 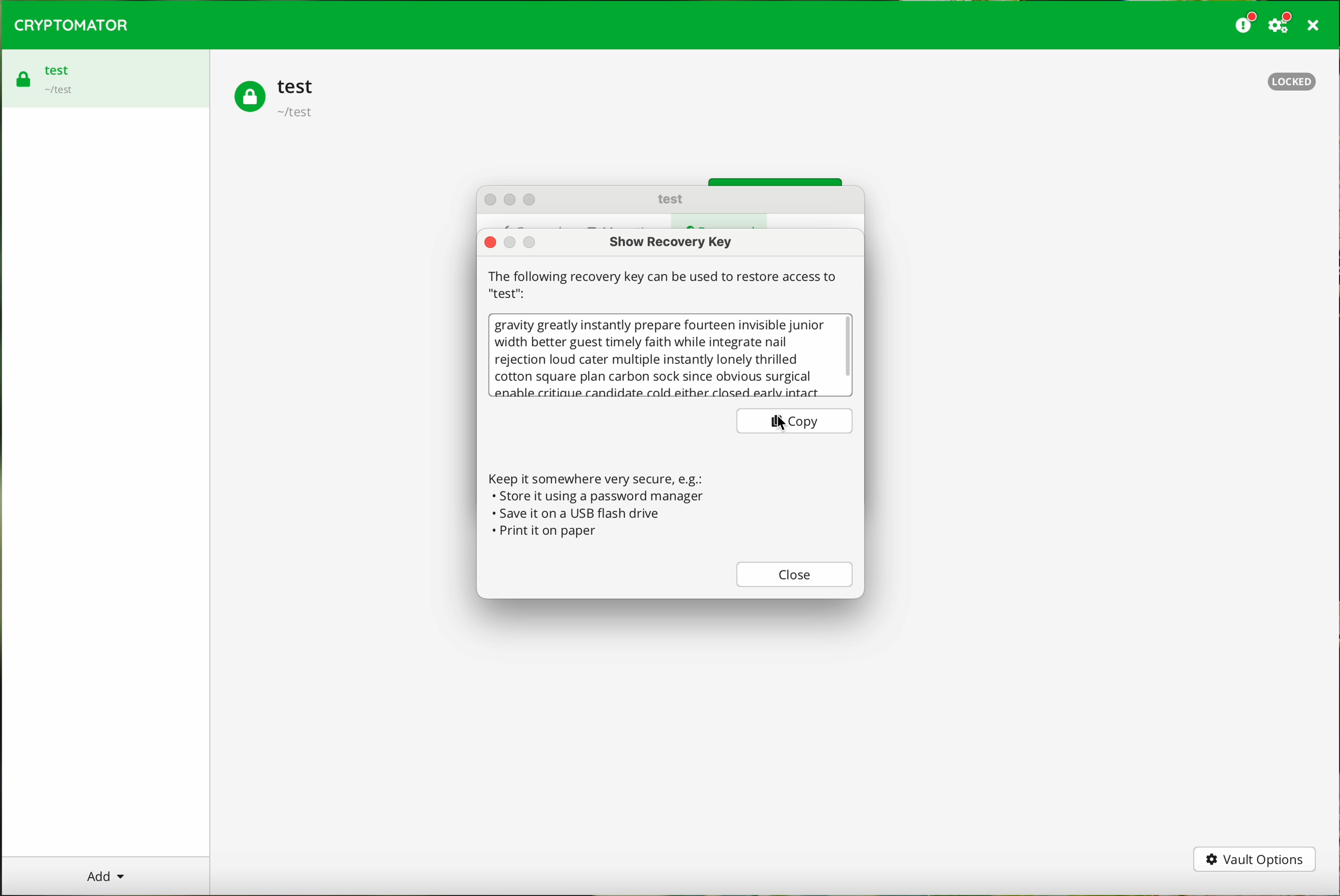 I want to click on close program, so click(x=1317, y=25).